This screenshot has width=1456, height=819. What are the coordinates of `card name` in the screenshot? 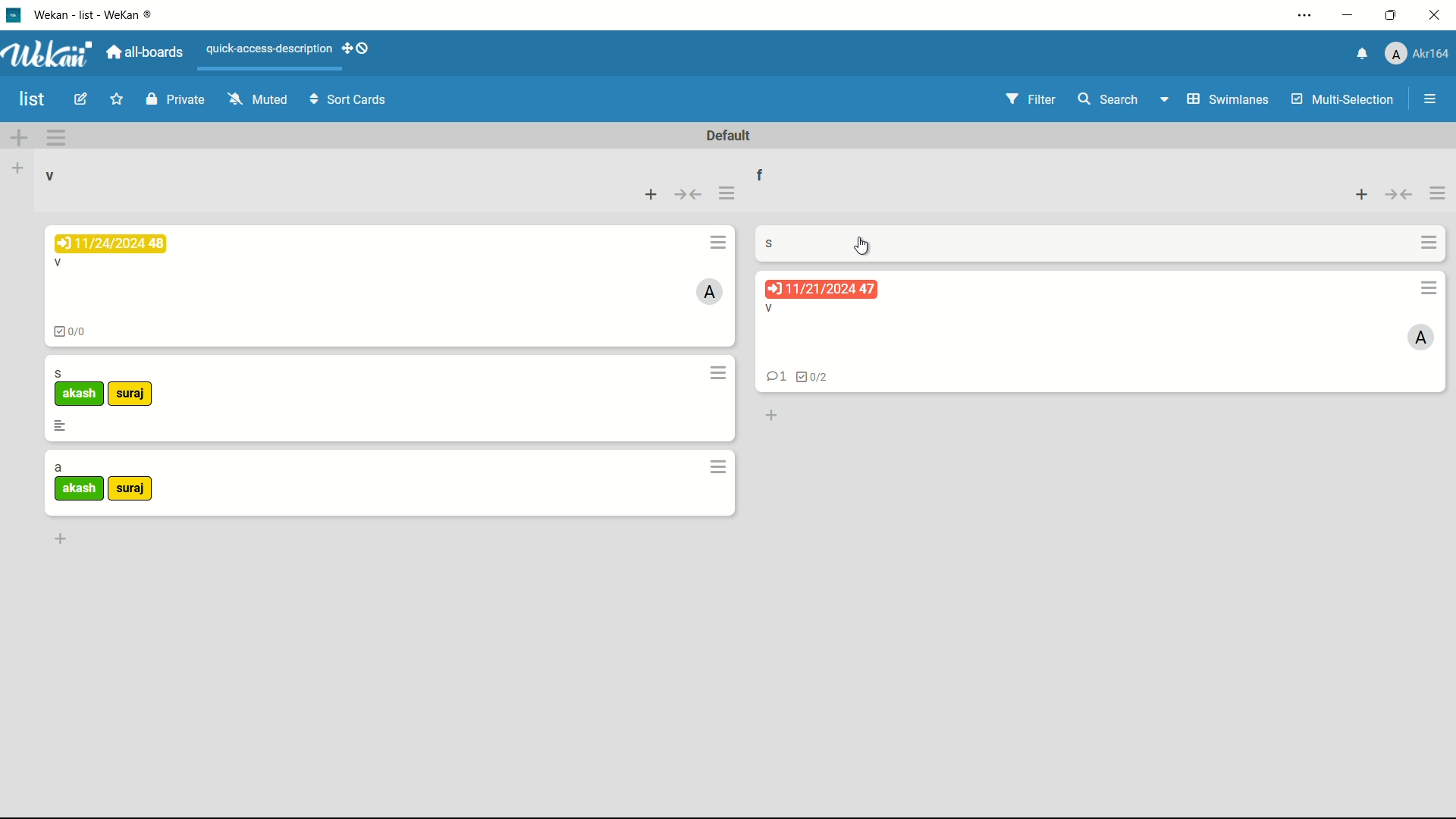 It's located at (58, 373).